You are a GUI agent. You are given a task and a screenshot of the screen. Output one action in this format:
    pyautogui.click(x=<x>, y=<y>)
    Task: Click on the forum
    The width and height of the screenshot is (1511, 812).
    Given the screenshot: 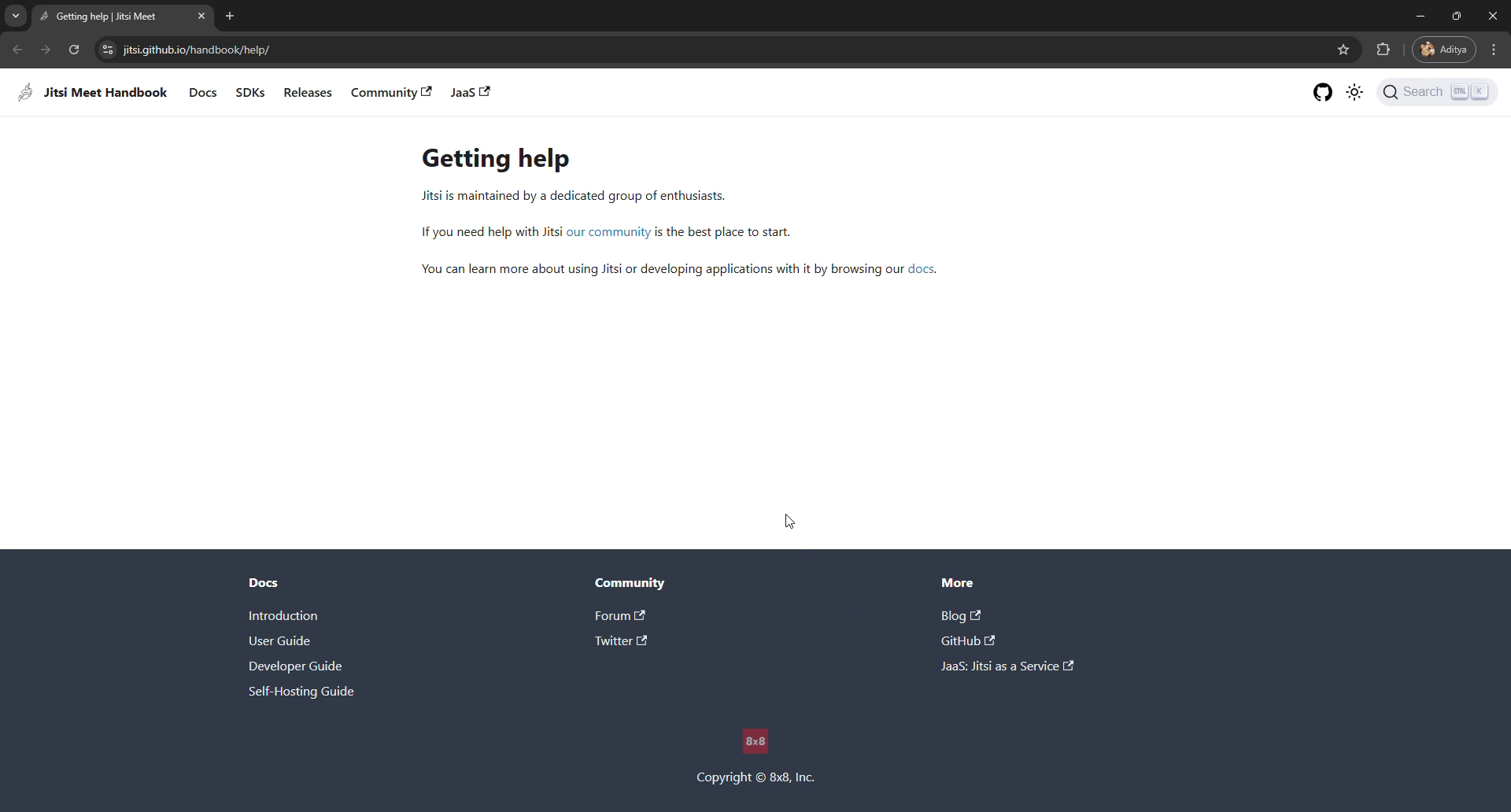 What is the action you would take?
    pyautogui.click(x=622, y=616)
    